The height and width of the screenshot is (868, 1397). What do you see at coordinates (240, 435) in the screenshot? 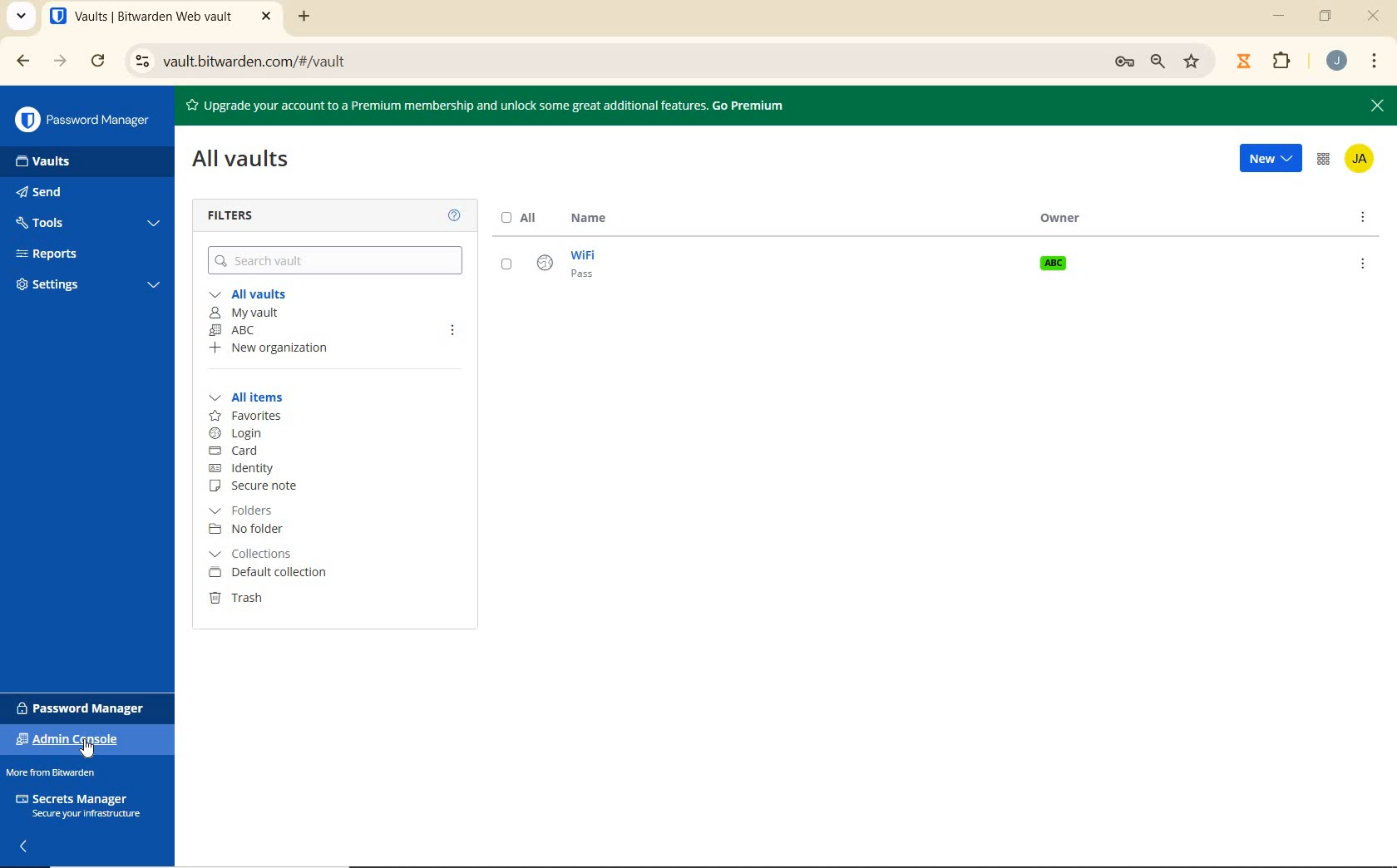
I see `LOGIN` at bounding box center [240, 435].